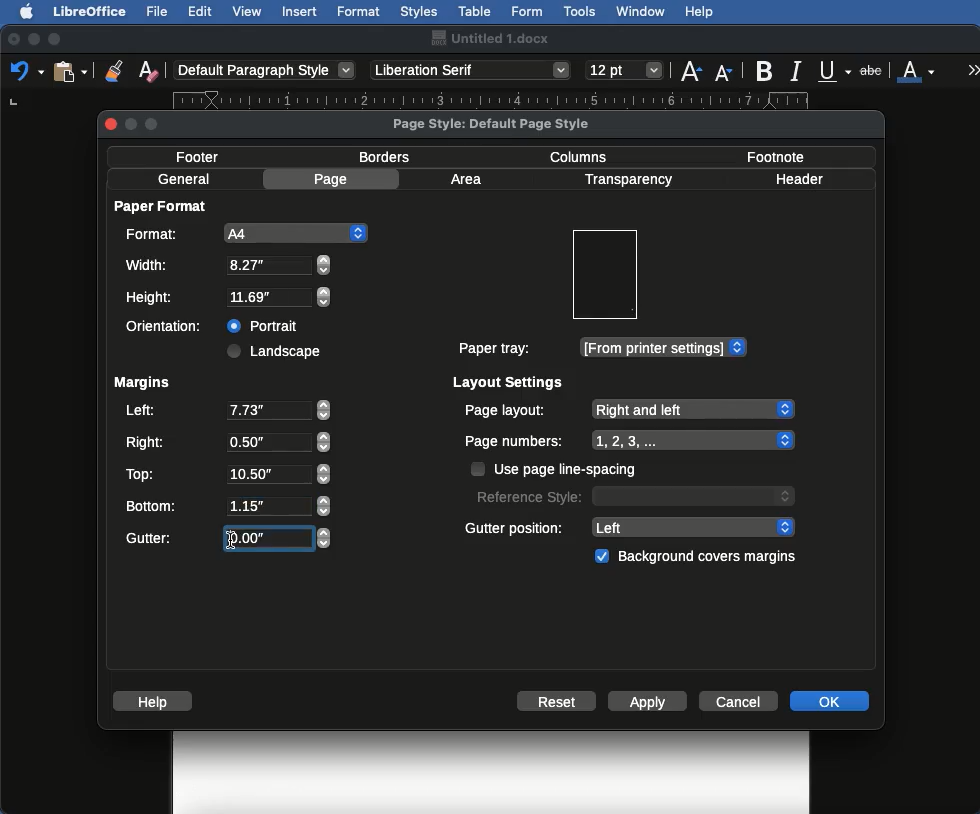 The image size is (980, 814). I want to click on Strikethrough , so click(873, 69).